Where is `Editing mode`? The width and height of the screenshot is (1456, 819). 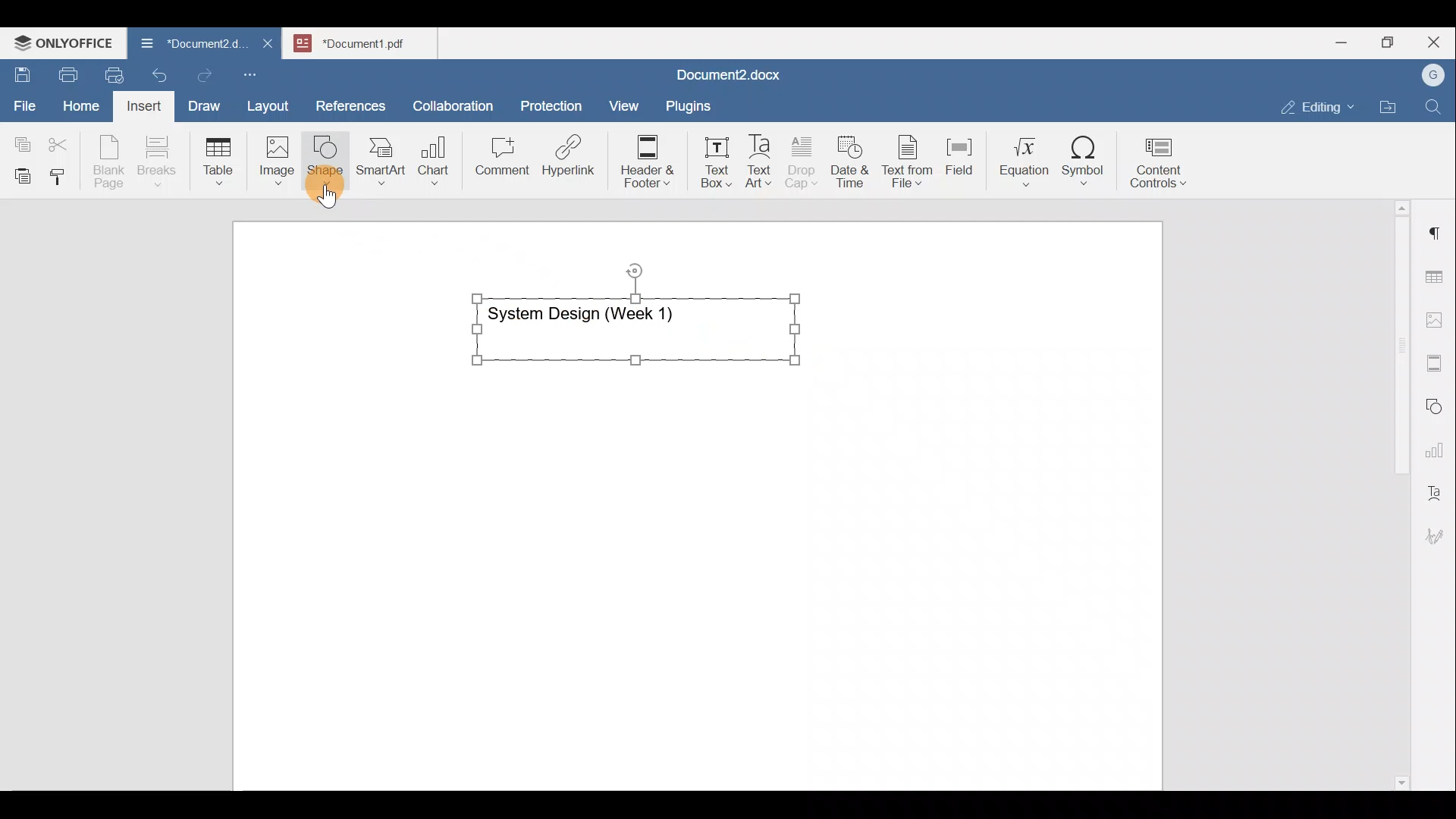 Editing mode is located at coordinates (1318, 104).